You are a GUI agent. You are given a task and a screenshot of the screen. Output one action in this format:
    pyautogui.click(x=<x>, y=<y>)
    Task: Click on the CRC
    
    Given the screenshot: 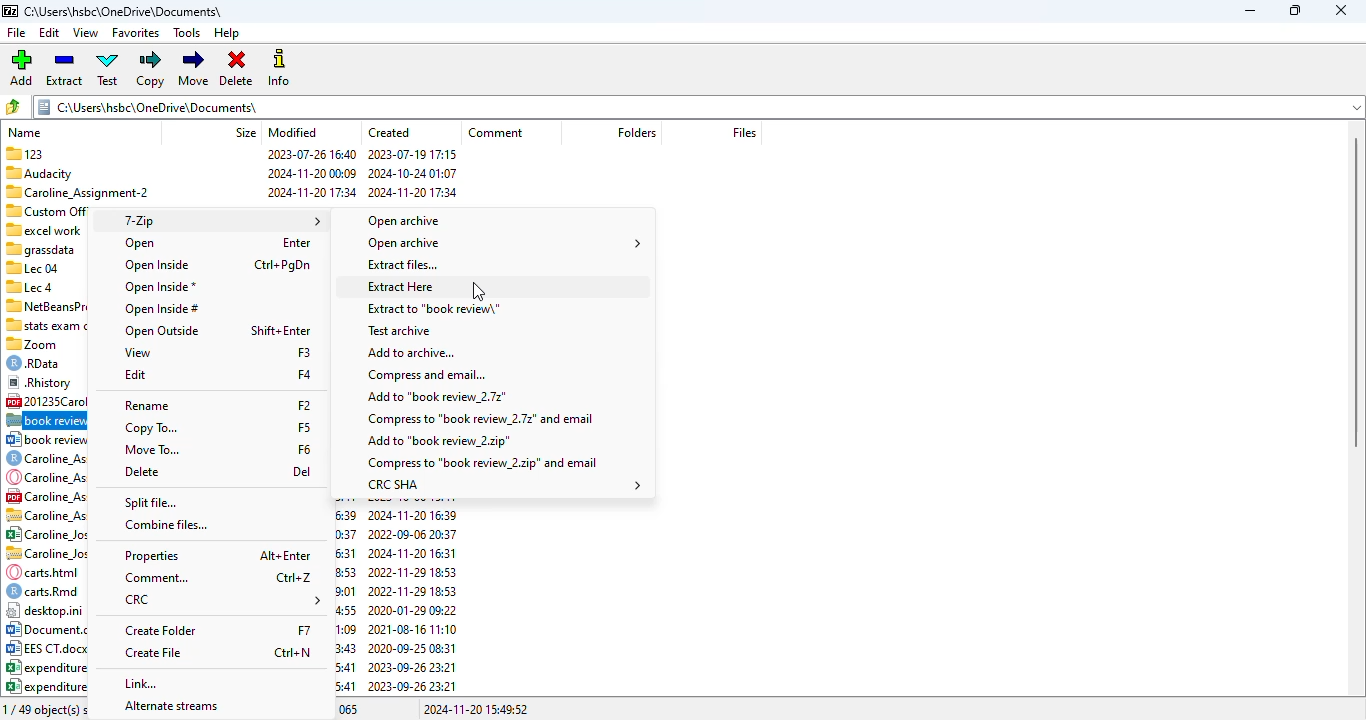 What is the action you would take?
    pyautogui.click(x=221, y=601)
    